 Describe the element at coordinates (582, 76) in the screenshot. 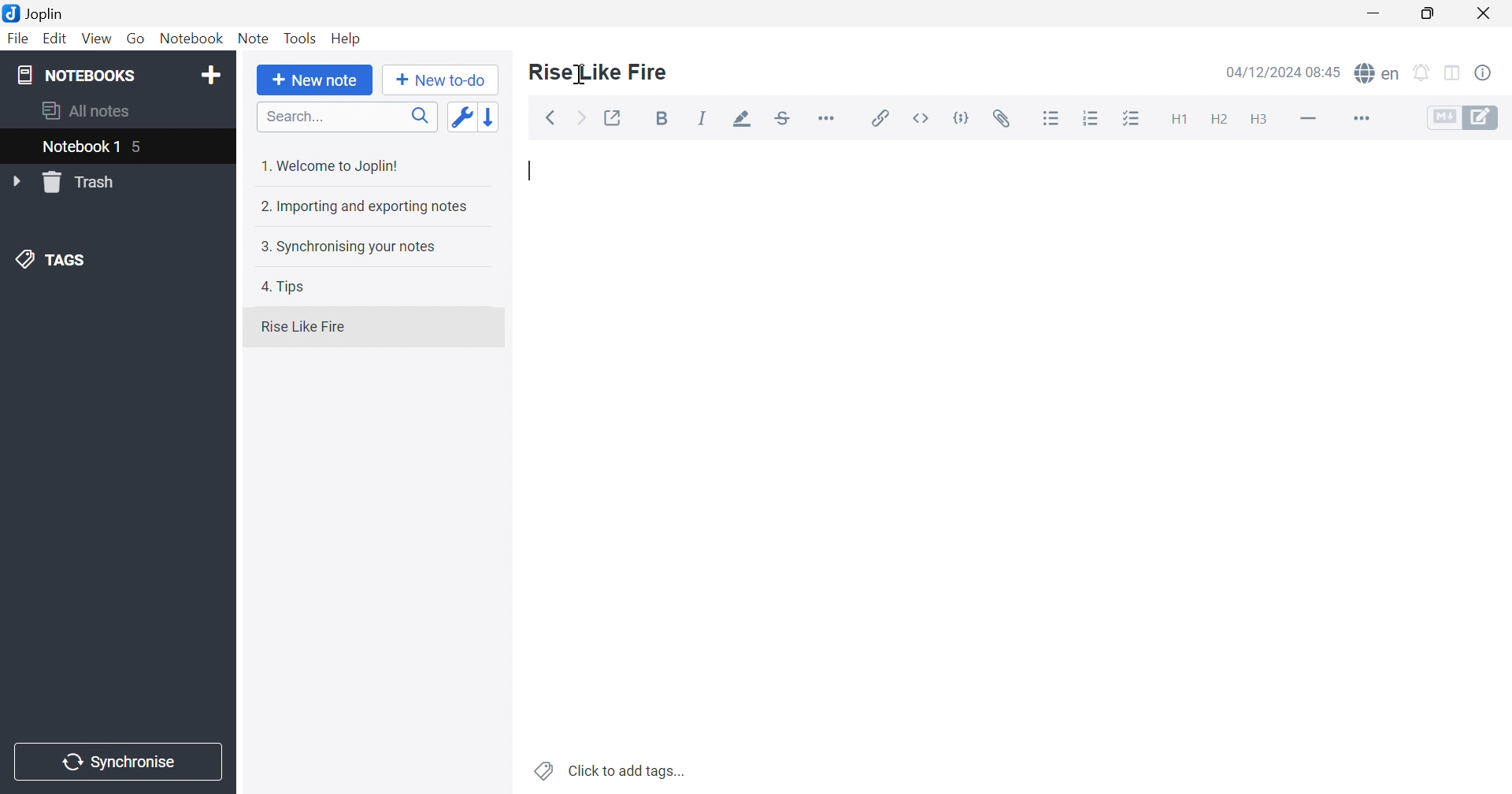

I see `Cursor` at that location.